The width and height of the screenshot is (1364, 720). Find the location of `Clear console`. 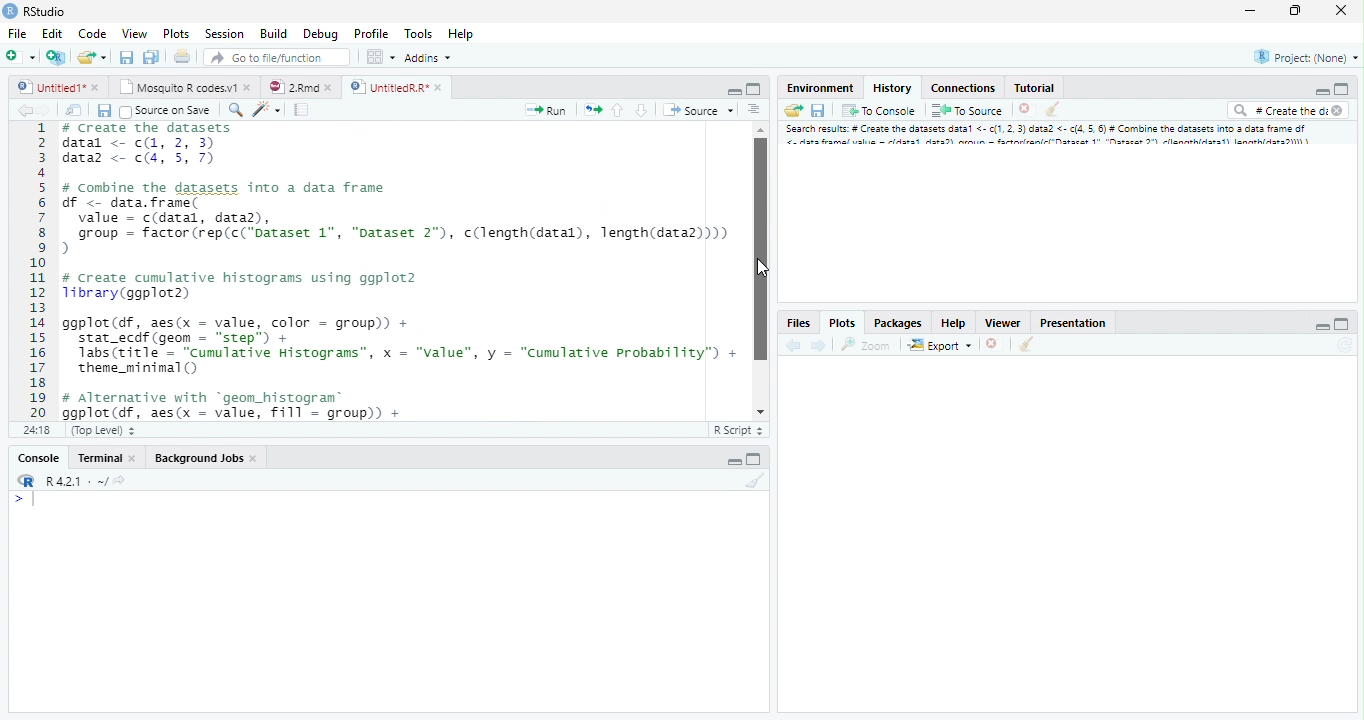

Clear console is located at coordinates (1029, 346).